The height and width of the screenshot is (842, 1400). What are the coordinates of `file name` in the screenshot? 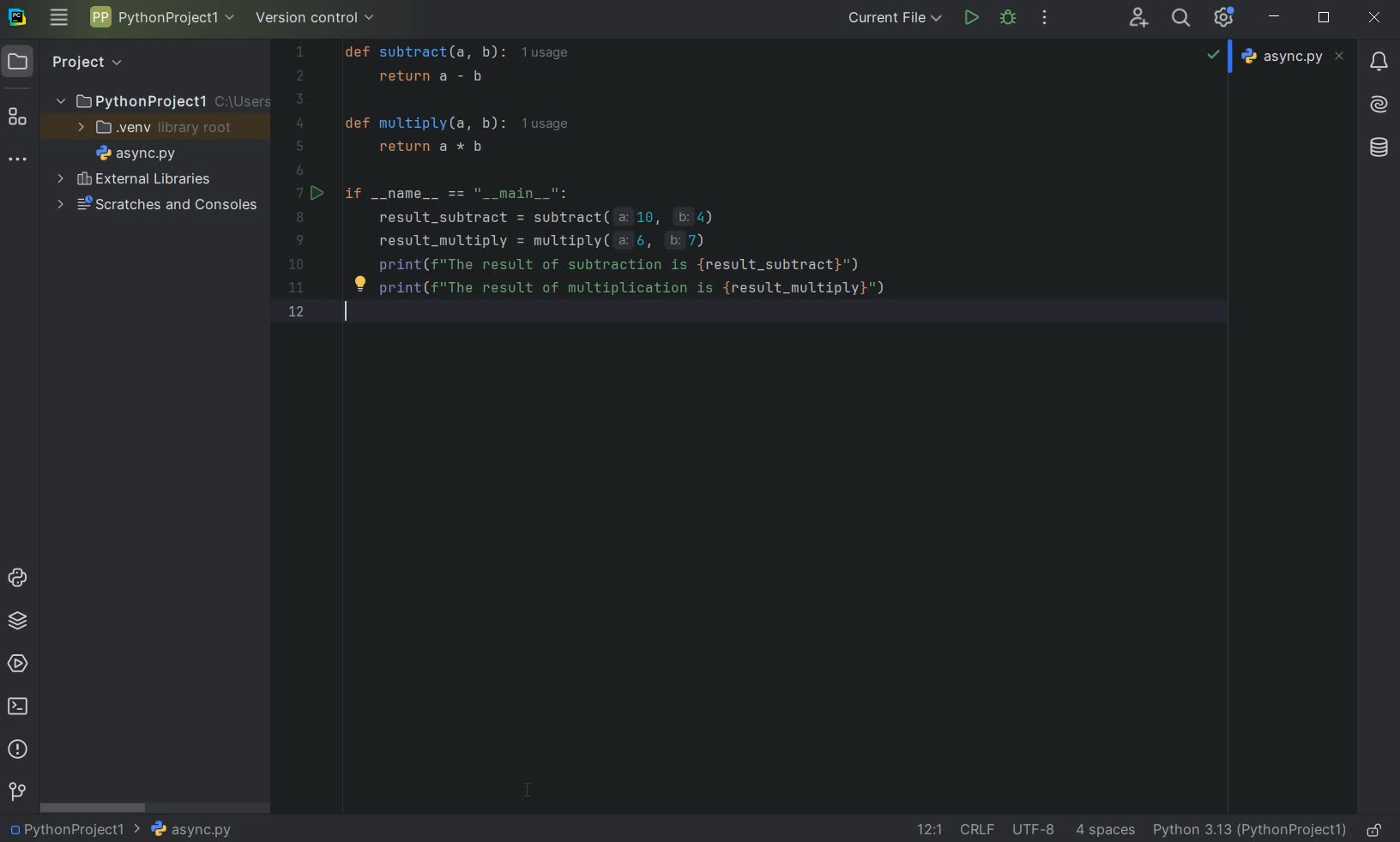 It's located at (140, 154).